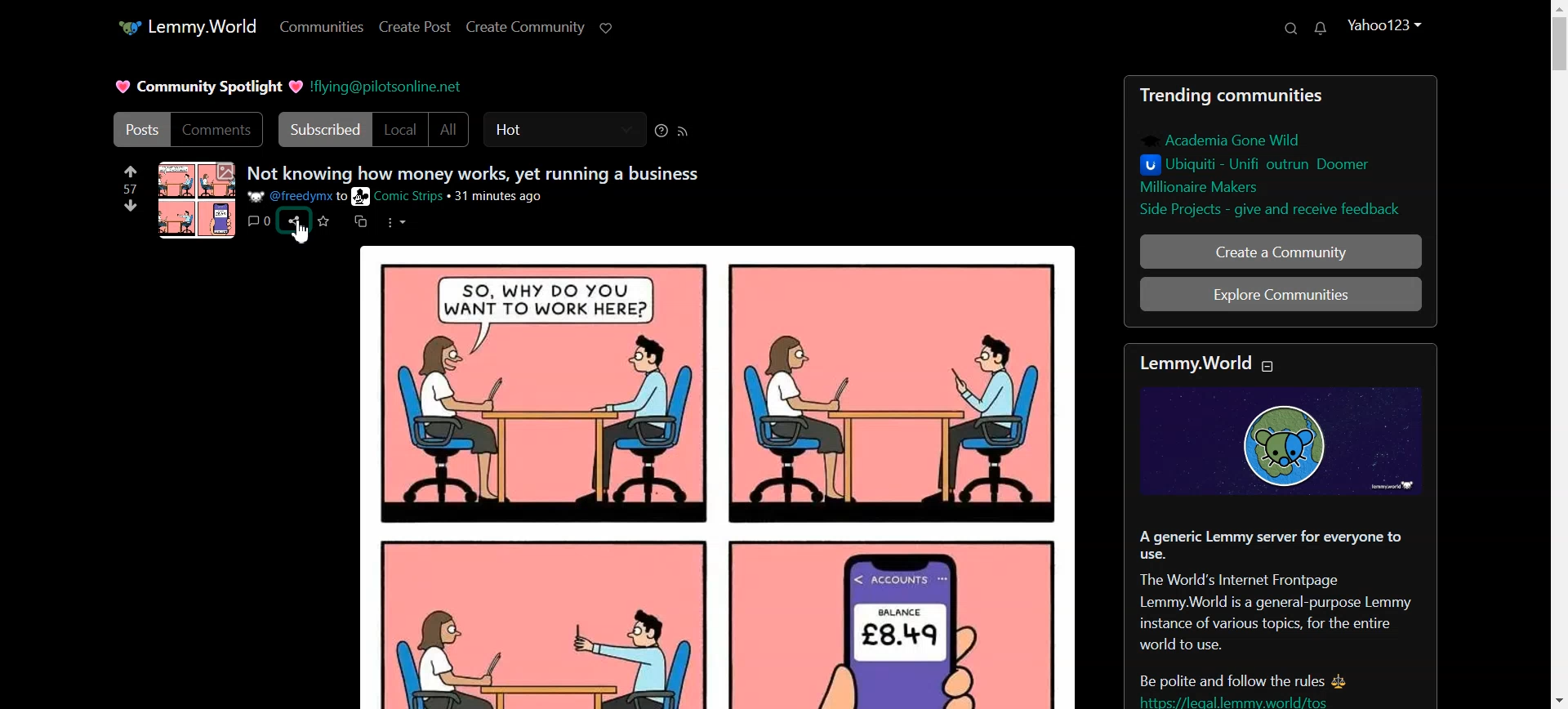 The width and height of the screenshot is (1568, 709). I want to click on Unread Messages, so click(1321, 29).